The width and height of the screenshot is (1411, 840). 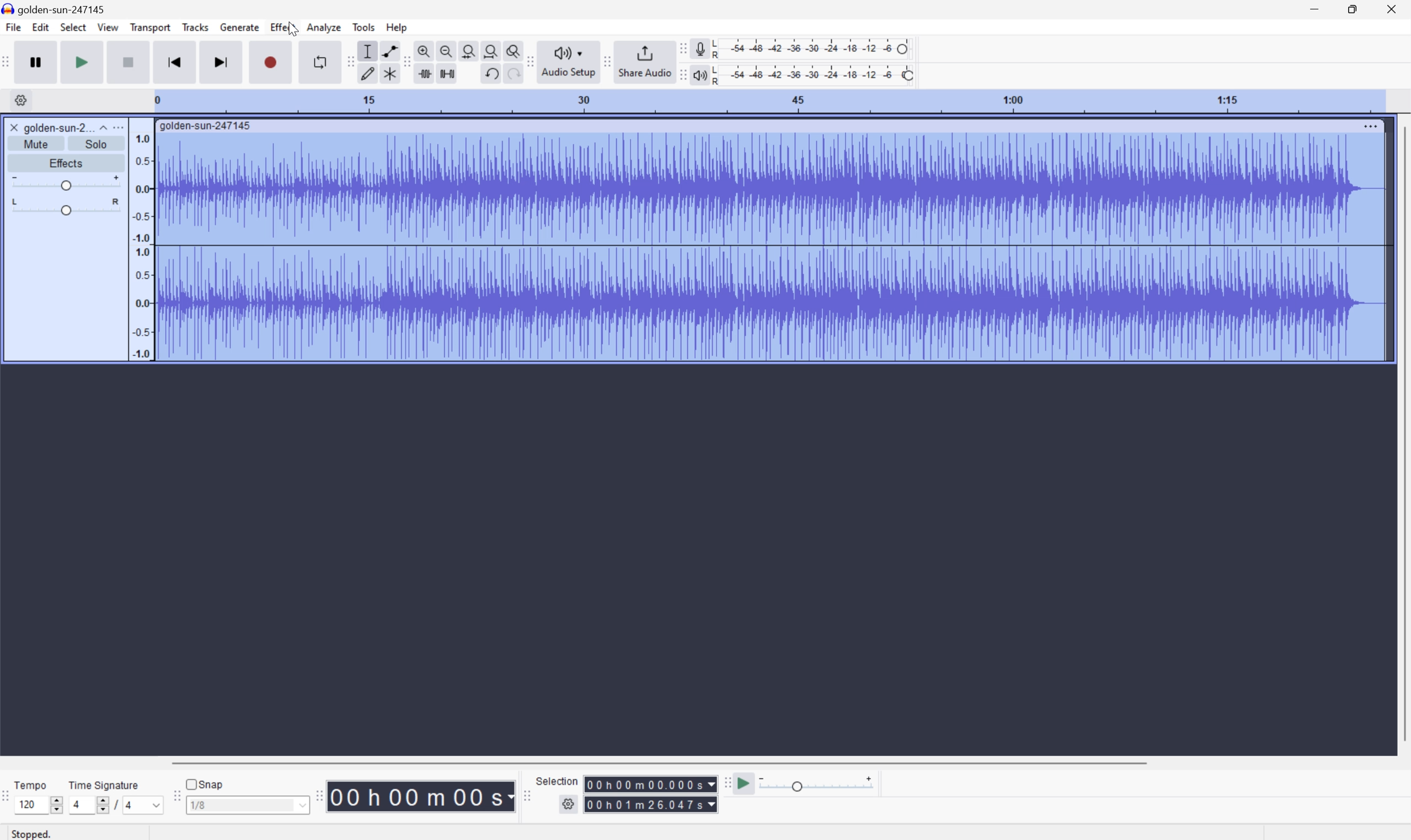 I want to click on File, so click(x=12, y=27).